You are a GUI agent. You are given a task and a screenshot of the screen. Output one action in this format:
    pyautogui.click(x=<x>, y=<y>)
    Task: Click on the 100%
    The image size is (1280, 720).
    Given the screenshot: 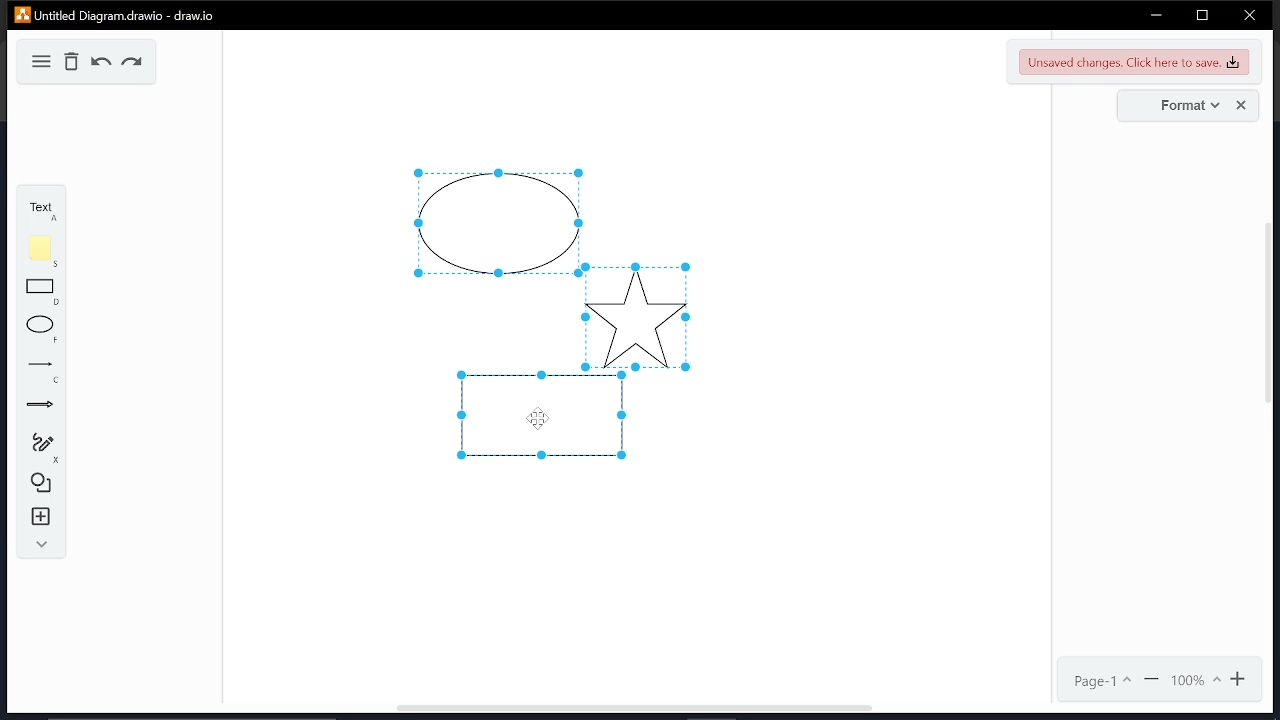 What is the action you would take?
    pyautogui.click(x=1195, y=680)
    